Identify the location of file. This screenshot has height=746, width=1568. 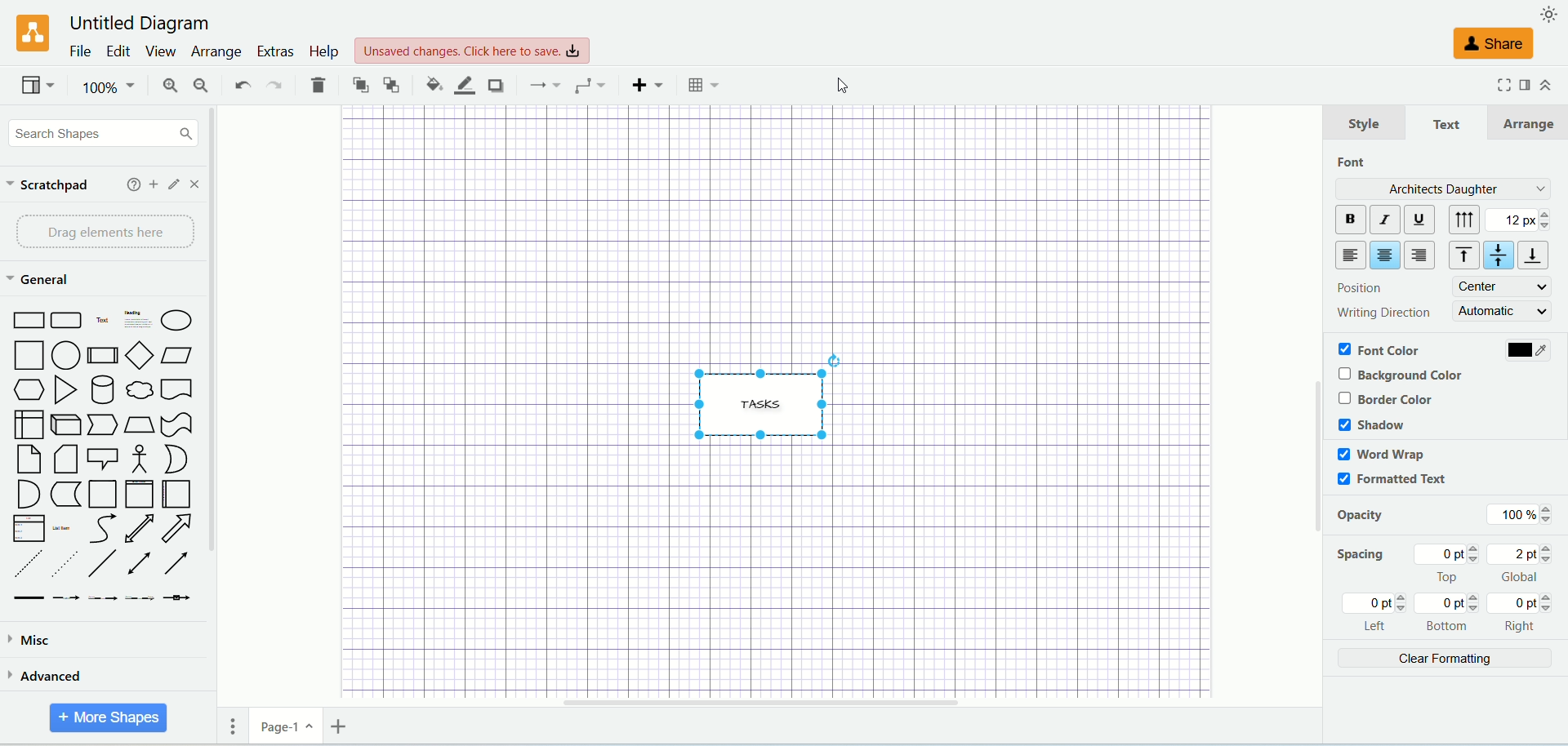
(78, 51).